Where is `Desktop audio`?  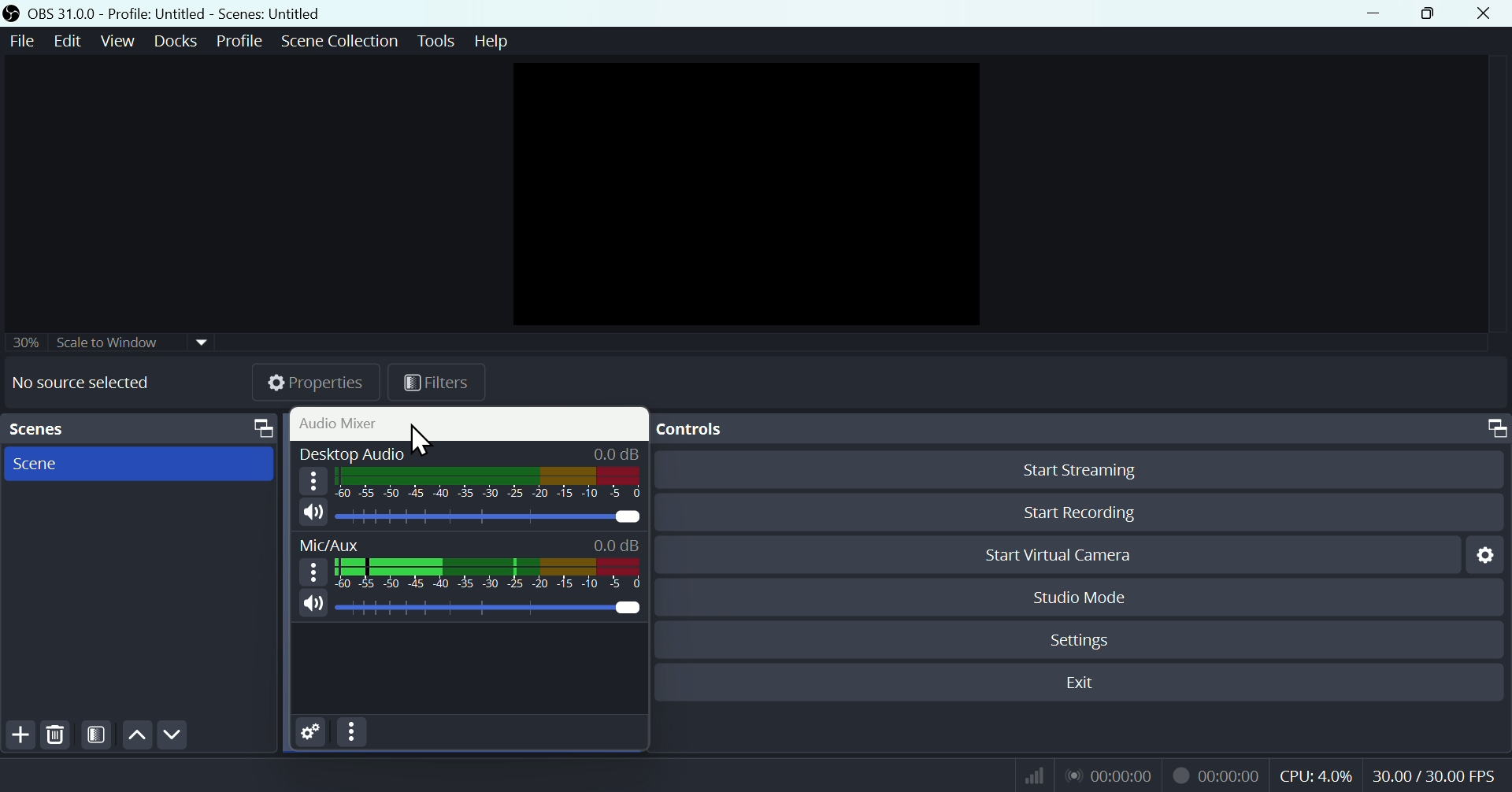 Desktop audio is located at coordinates (350, 451).